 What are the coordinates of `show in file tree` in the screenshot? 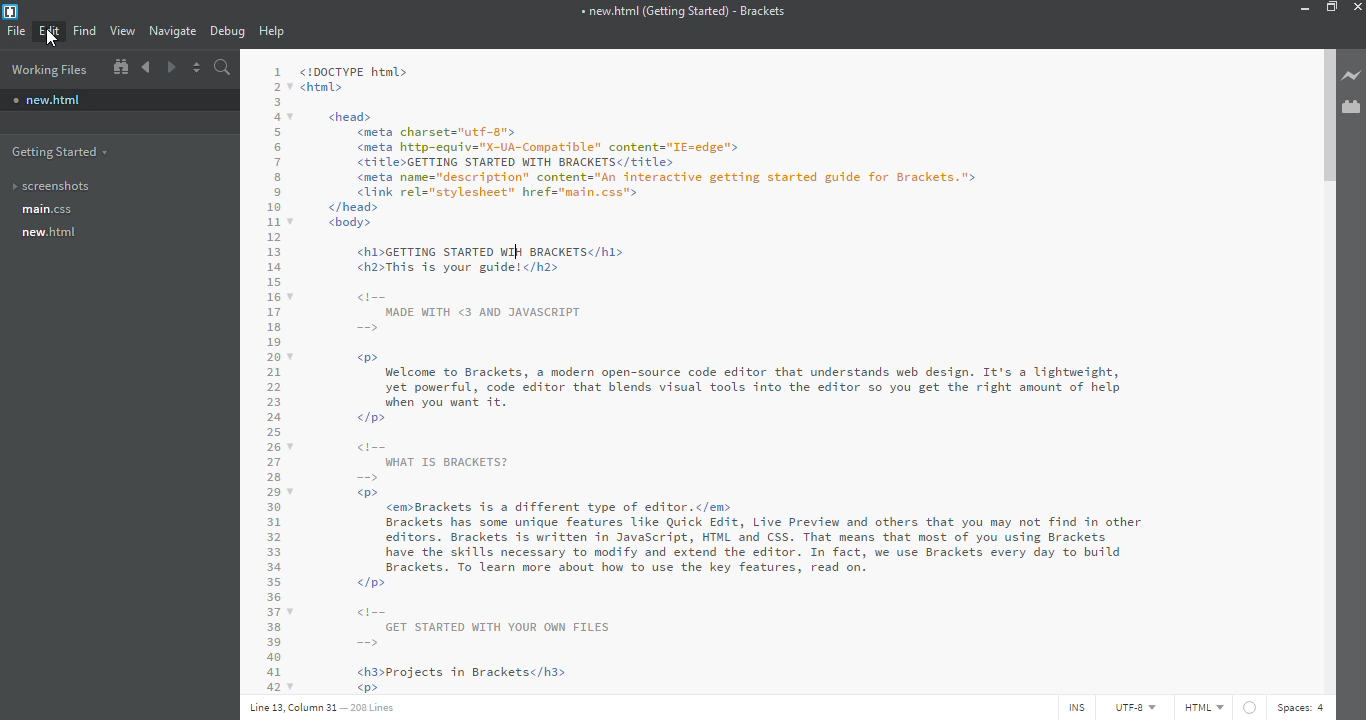 It's located at (121, 66).